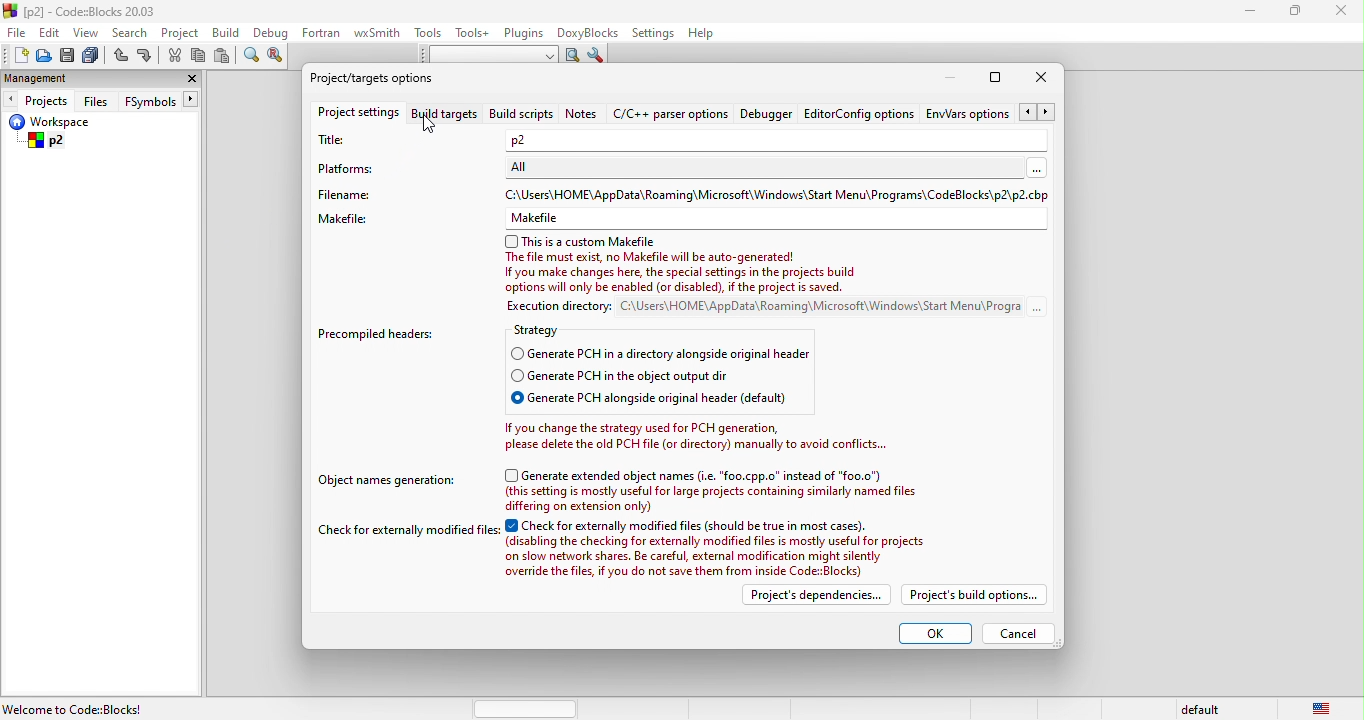 The image size is (1364, 720). Describe the element at coordinates (525, 34) in the screenshot. I see `plugins` at that location.